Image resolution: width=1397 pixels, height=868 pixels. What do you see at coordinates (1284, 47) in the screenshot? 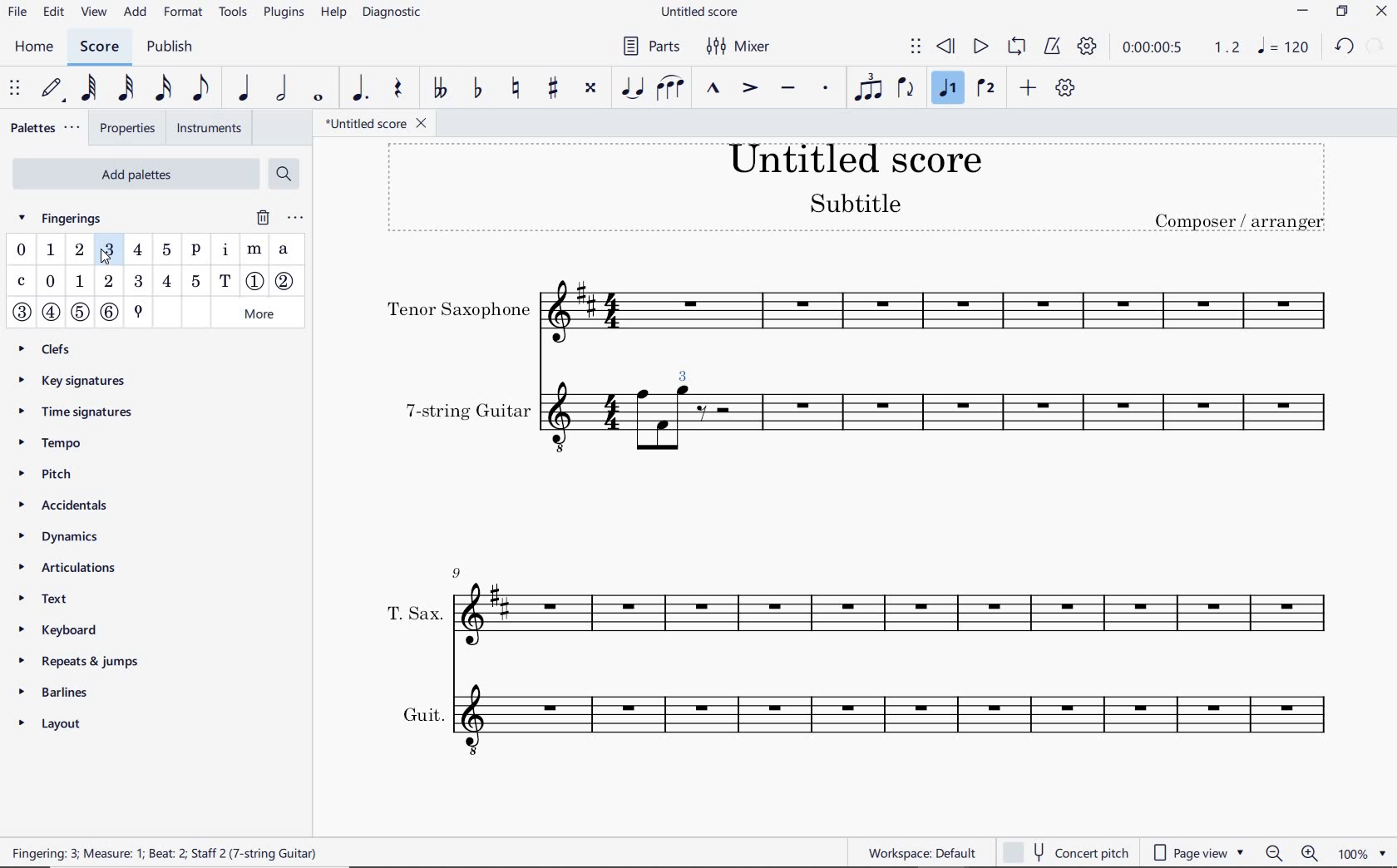
I see `NOTE` at bounding box center [1284, 47].